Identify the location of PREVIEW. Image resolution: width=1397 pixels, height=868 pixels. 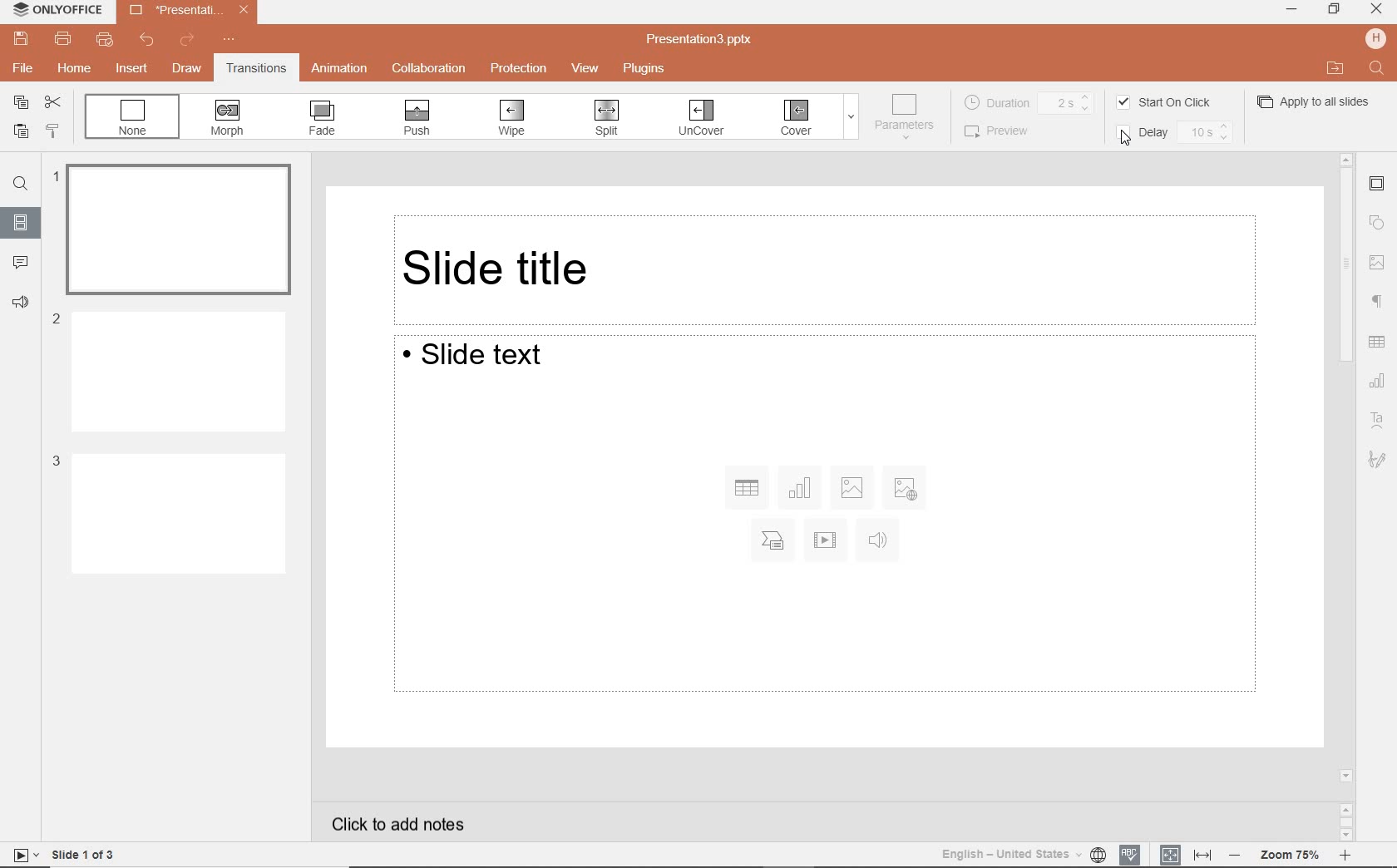
(1005, 131).